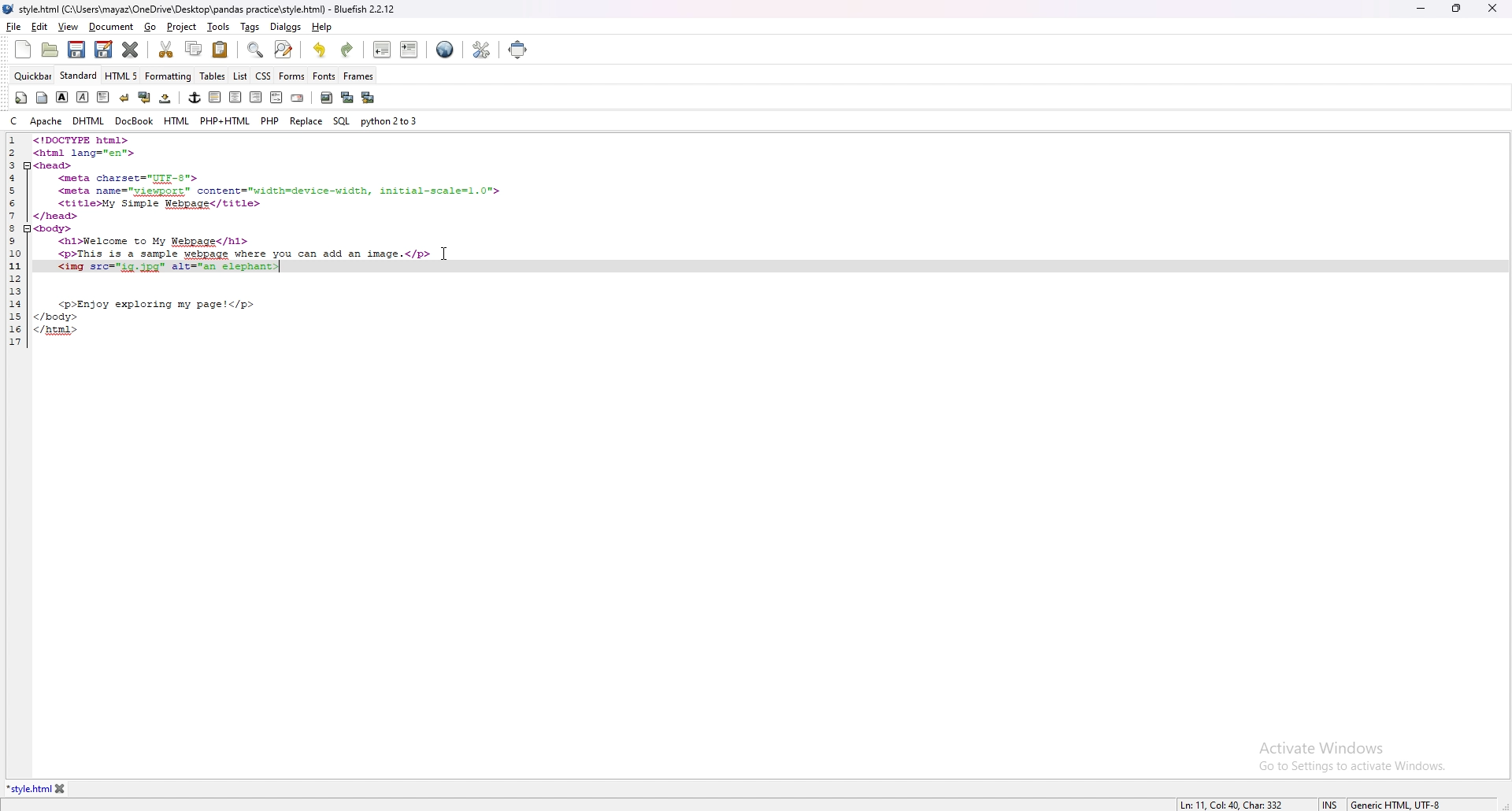 This screenshot has height=811, width=1512. Describe the element at coordinates (50, 50) in the screenshot. I see `open` at that location.